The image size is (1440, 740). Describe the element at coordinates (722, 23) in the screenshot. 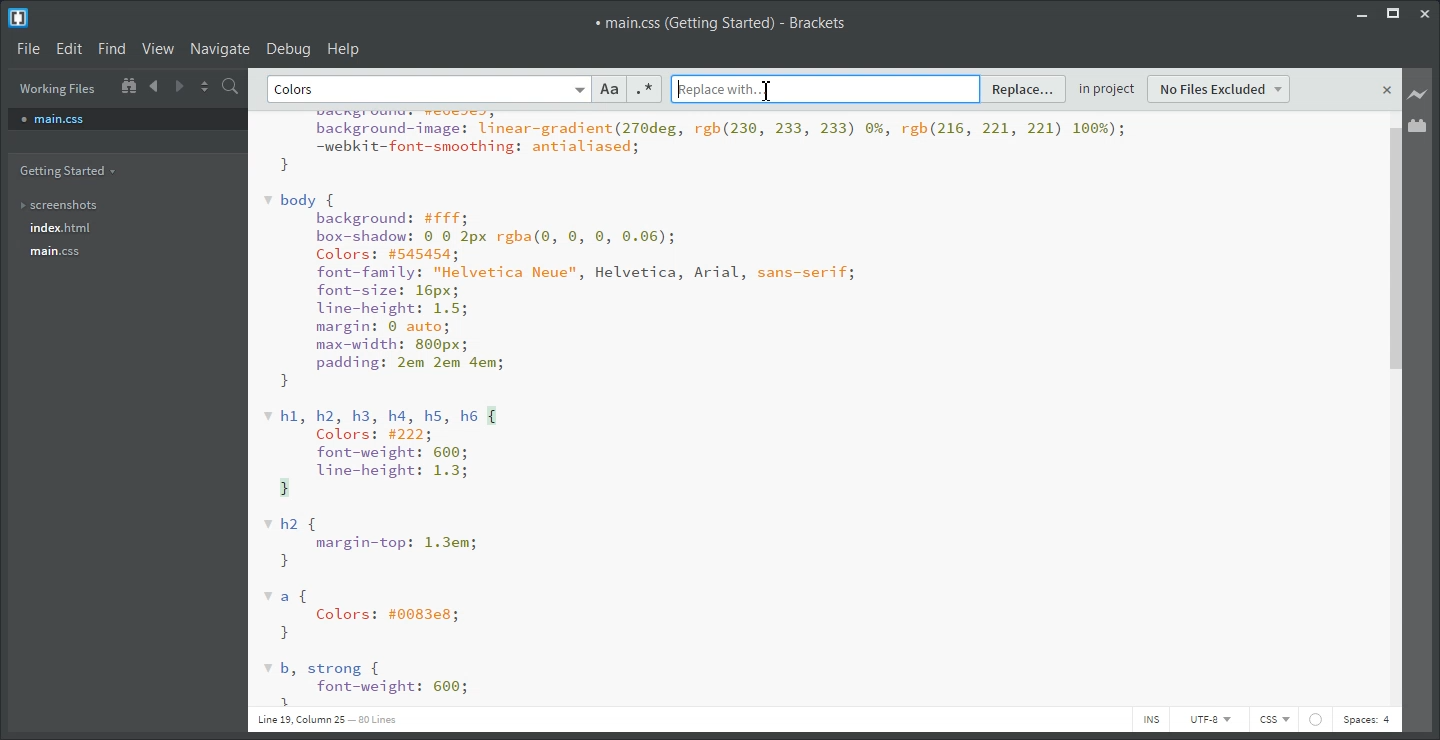

I see `main.css (Getting Started) - Brackets` at that location.